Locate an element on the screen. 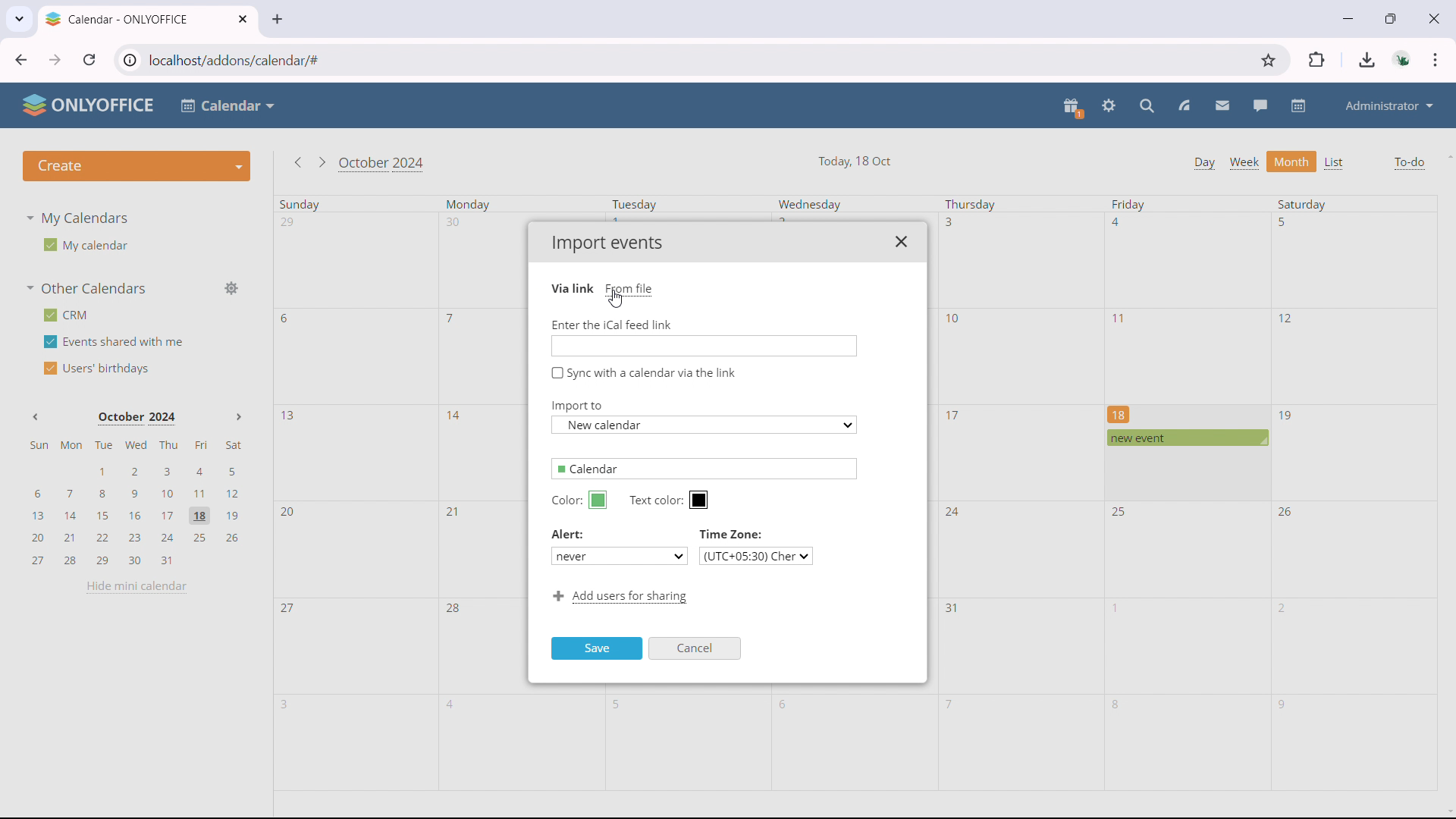 The height and width of the screenshot is (819, 1456). scheduled event is located at coordinates (1186, 438).